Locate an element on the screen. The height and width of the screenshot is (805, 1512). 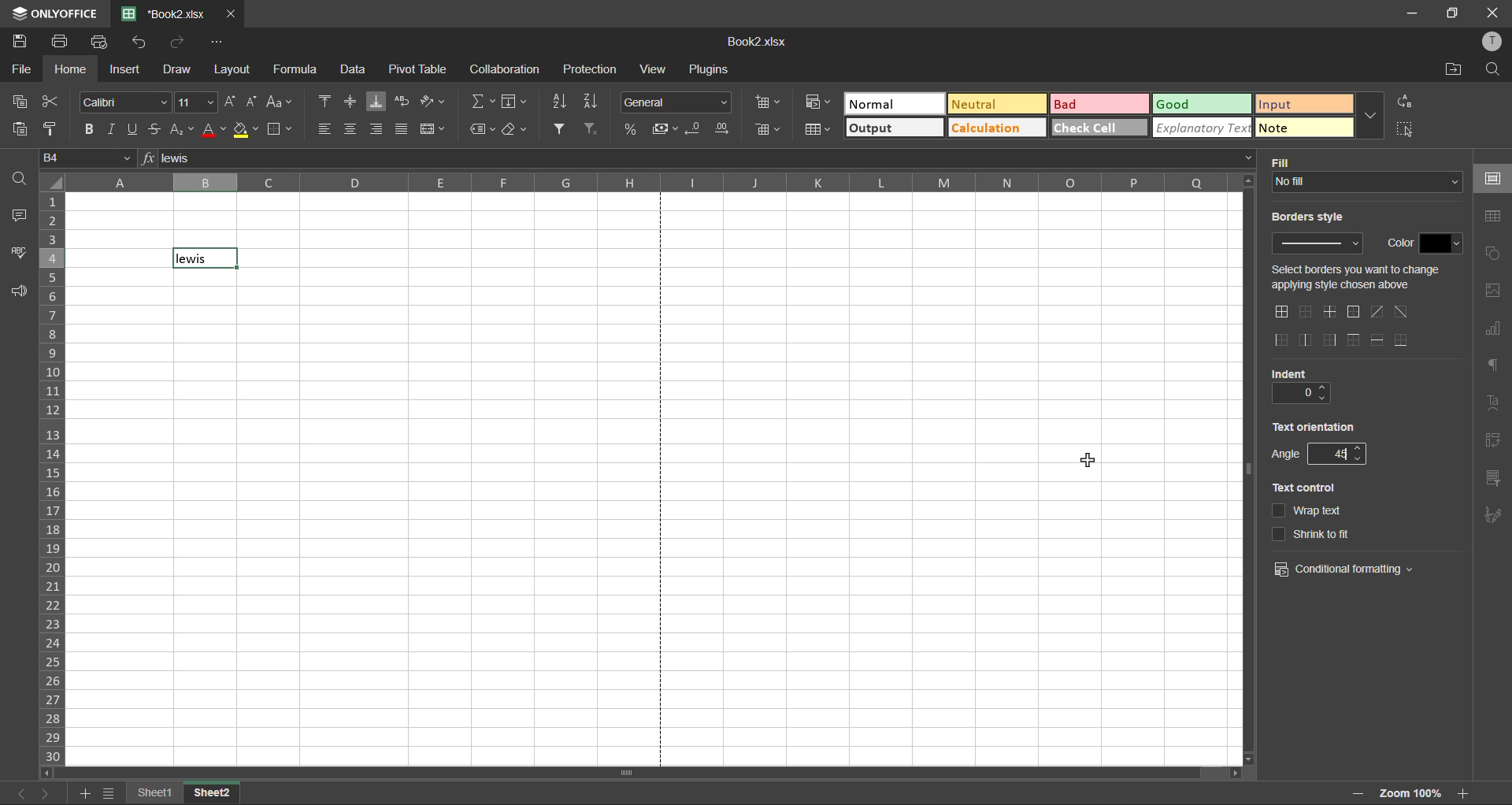
replace is located at coordinates (1406, 106).